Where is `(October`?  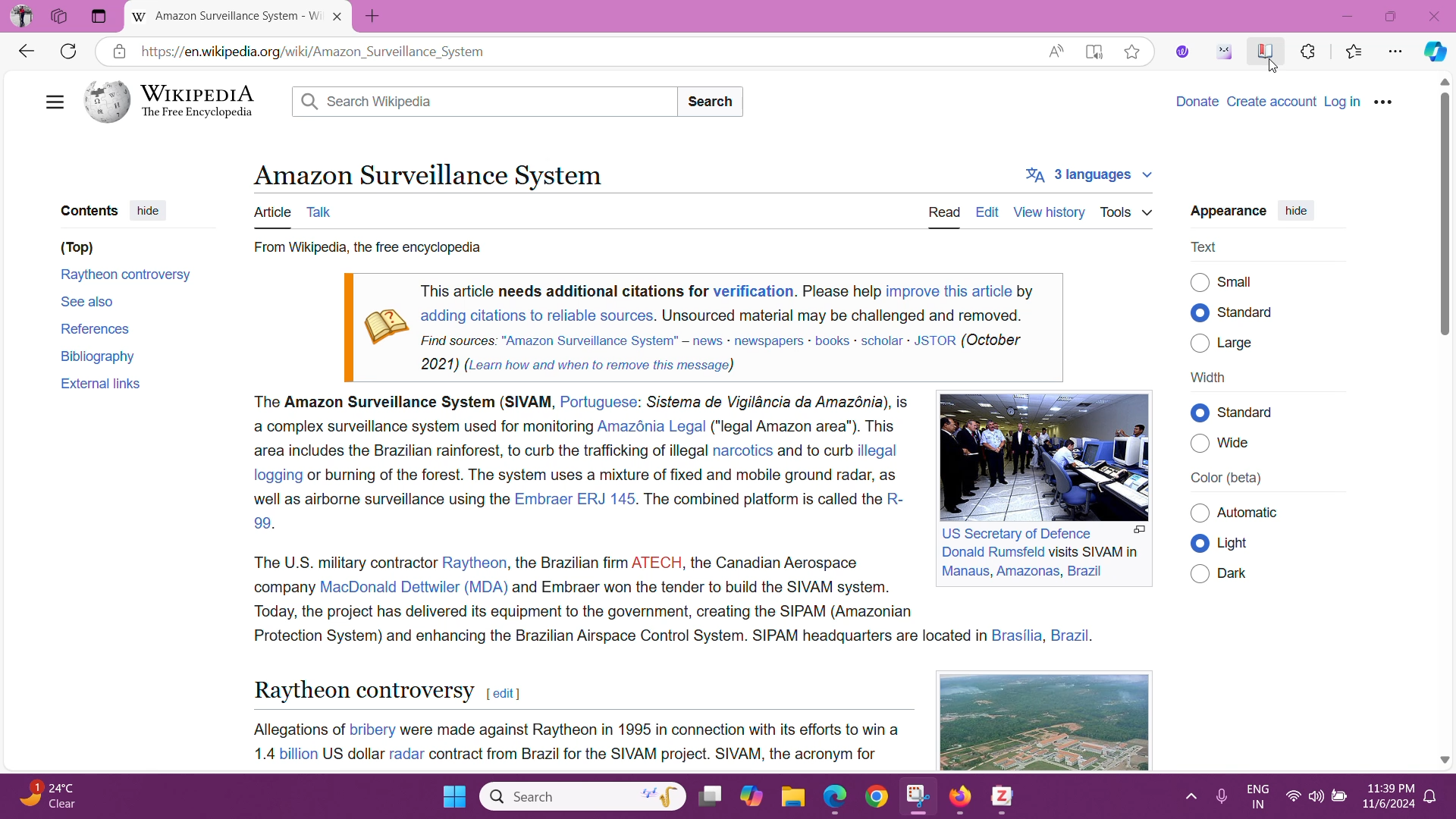
(October is located at coordinates (993, 340).